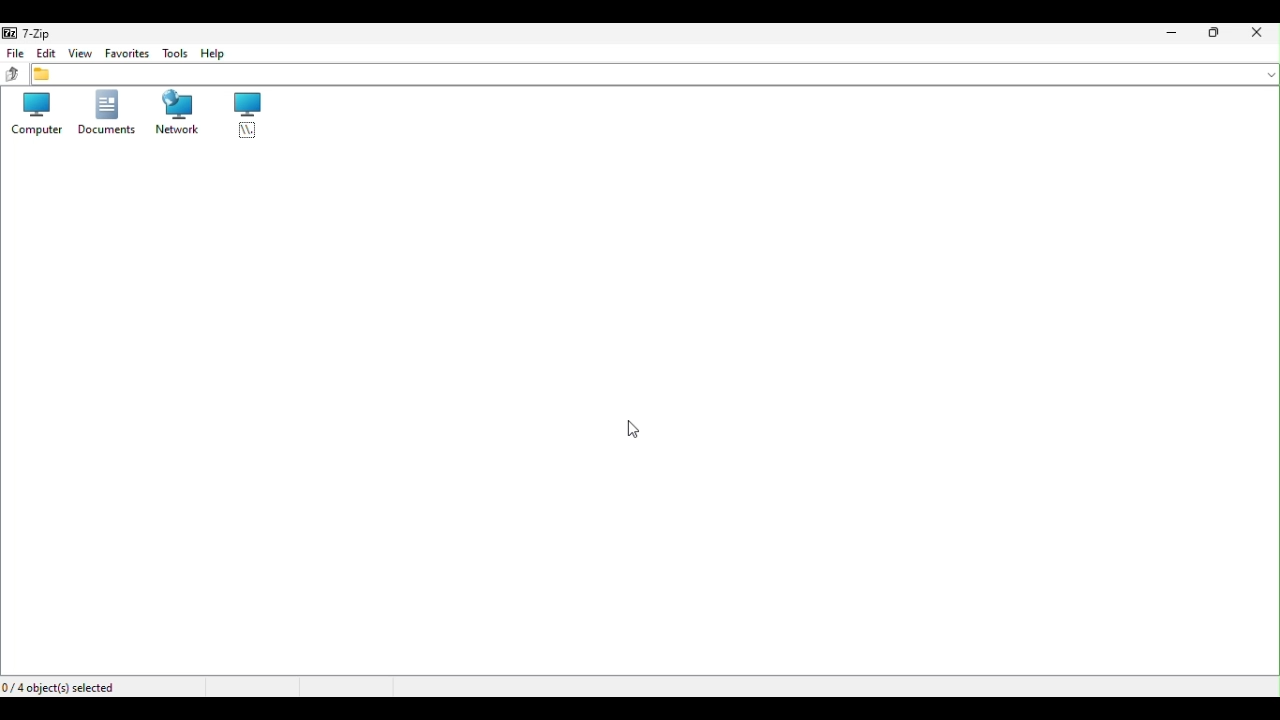 The image size is (1280, 720). Describe the element at coordinates (171, 53) in the screenshot. I see `Tools` at that location.